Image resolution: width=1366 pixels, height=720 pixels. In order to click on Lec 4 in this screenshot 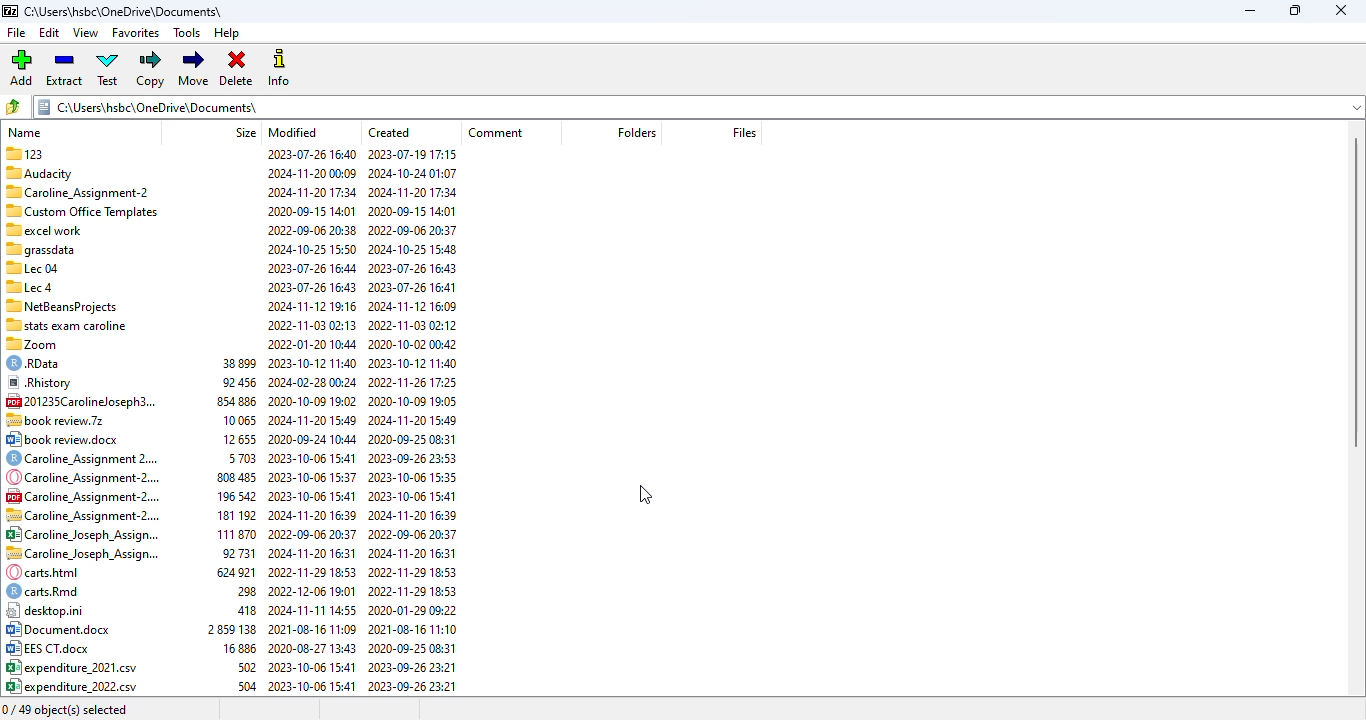, I will do `click(32, 286)`.